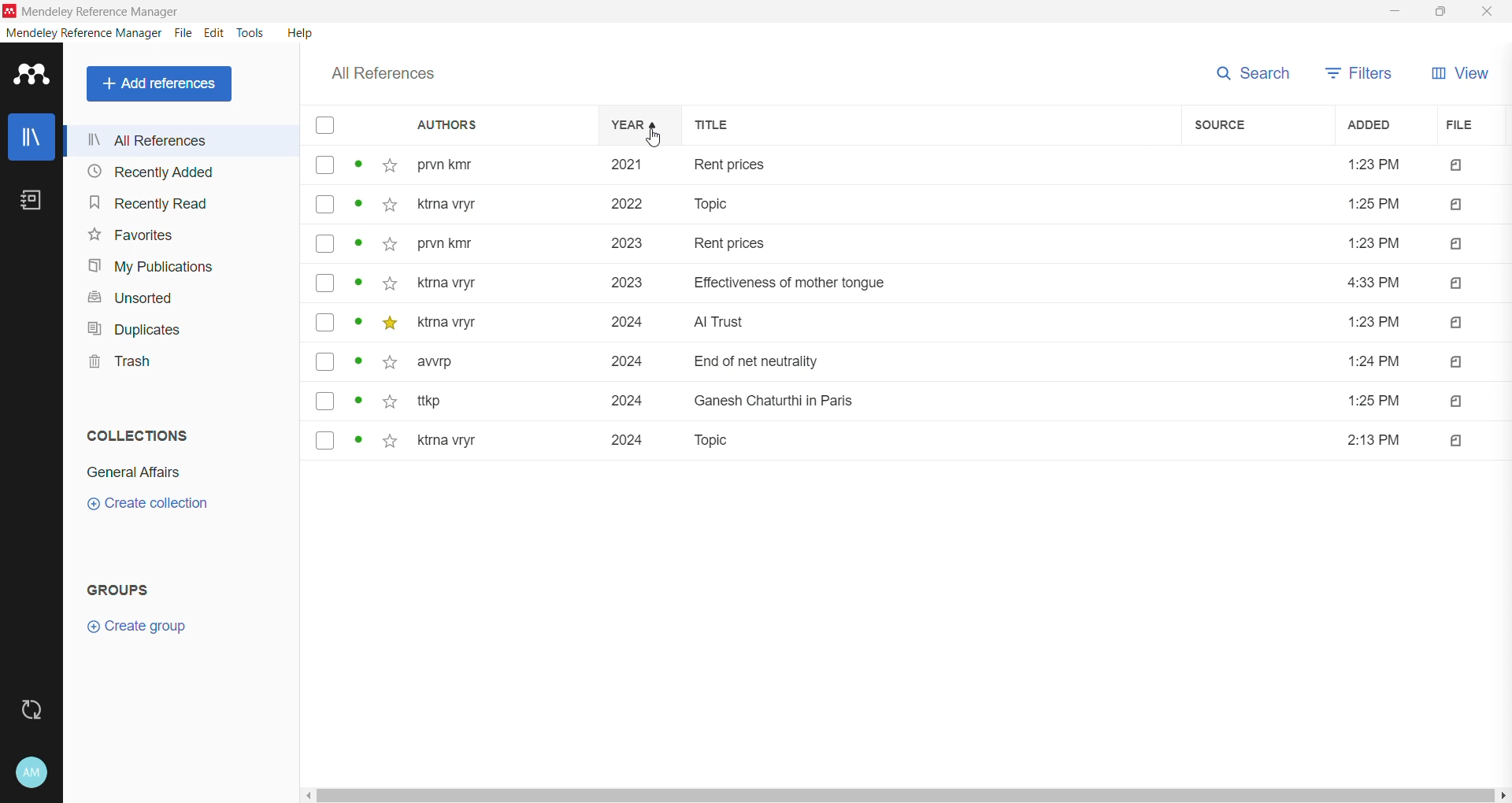 The height and width of the screenshot is (803, 1512). What do you see at coordinates (390, 323) in the screenshot?
I see `favorited` at bounding box center [390, 323].